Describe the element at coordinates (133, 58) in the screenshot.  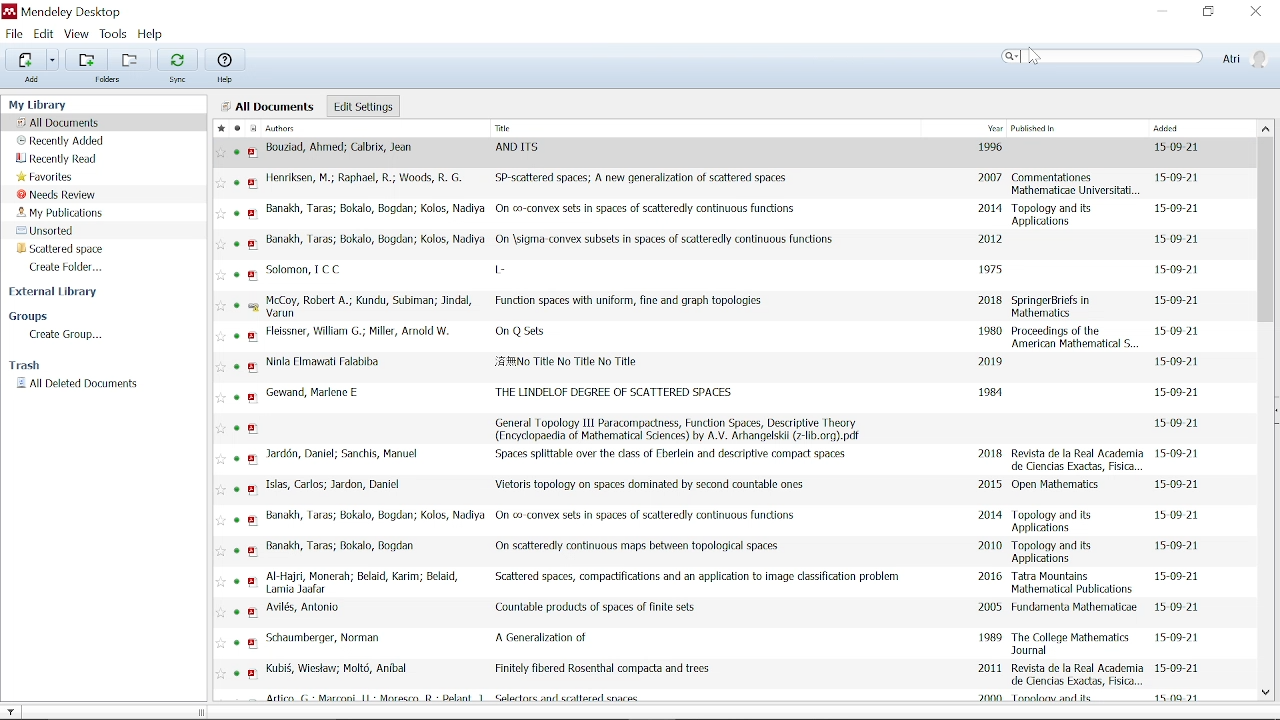
I see `Remove folder` at that location.